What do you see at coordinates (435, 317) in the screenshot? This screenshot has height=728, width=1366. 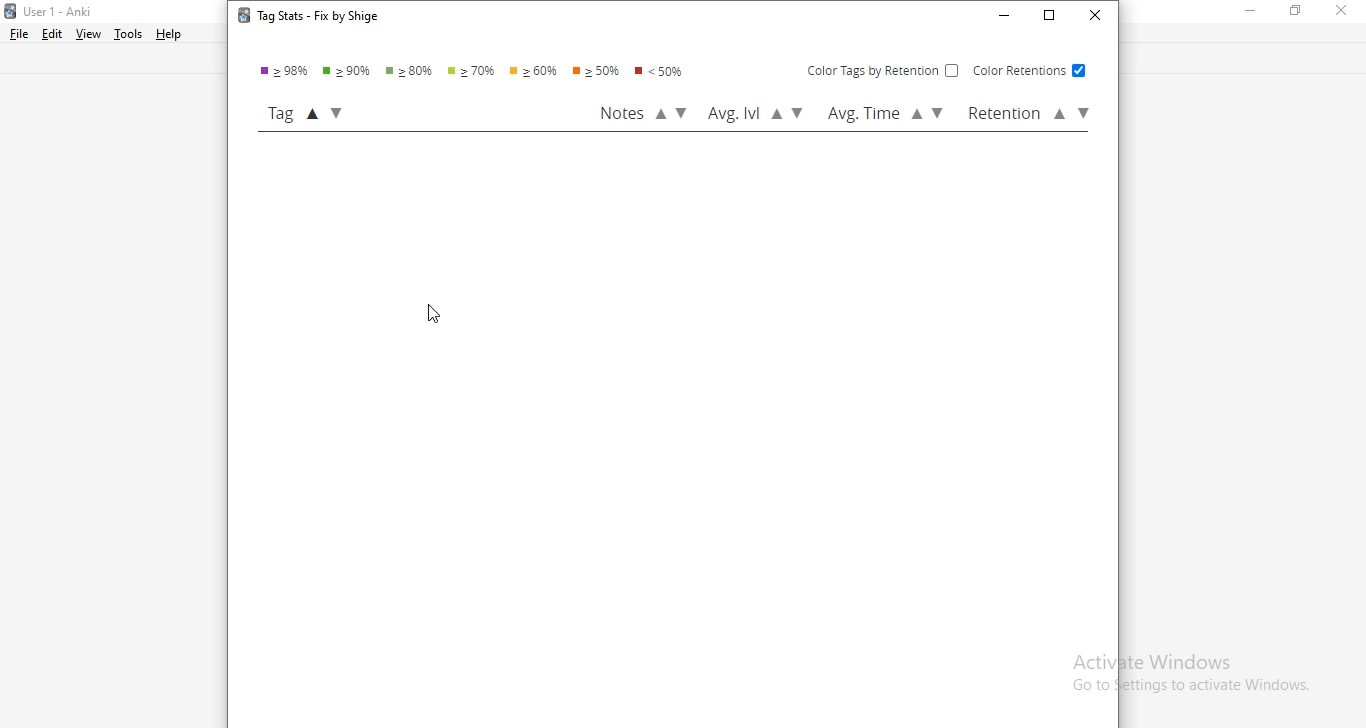 I see `cursor` at bounding box center [435, 317].